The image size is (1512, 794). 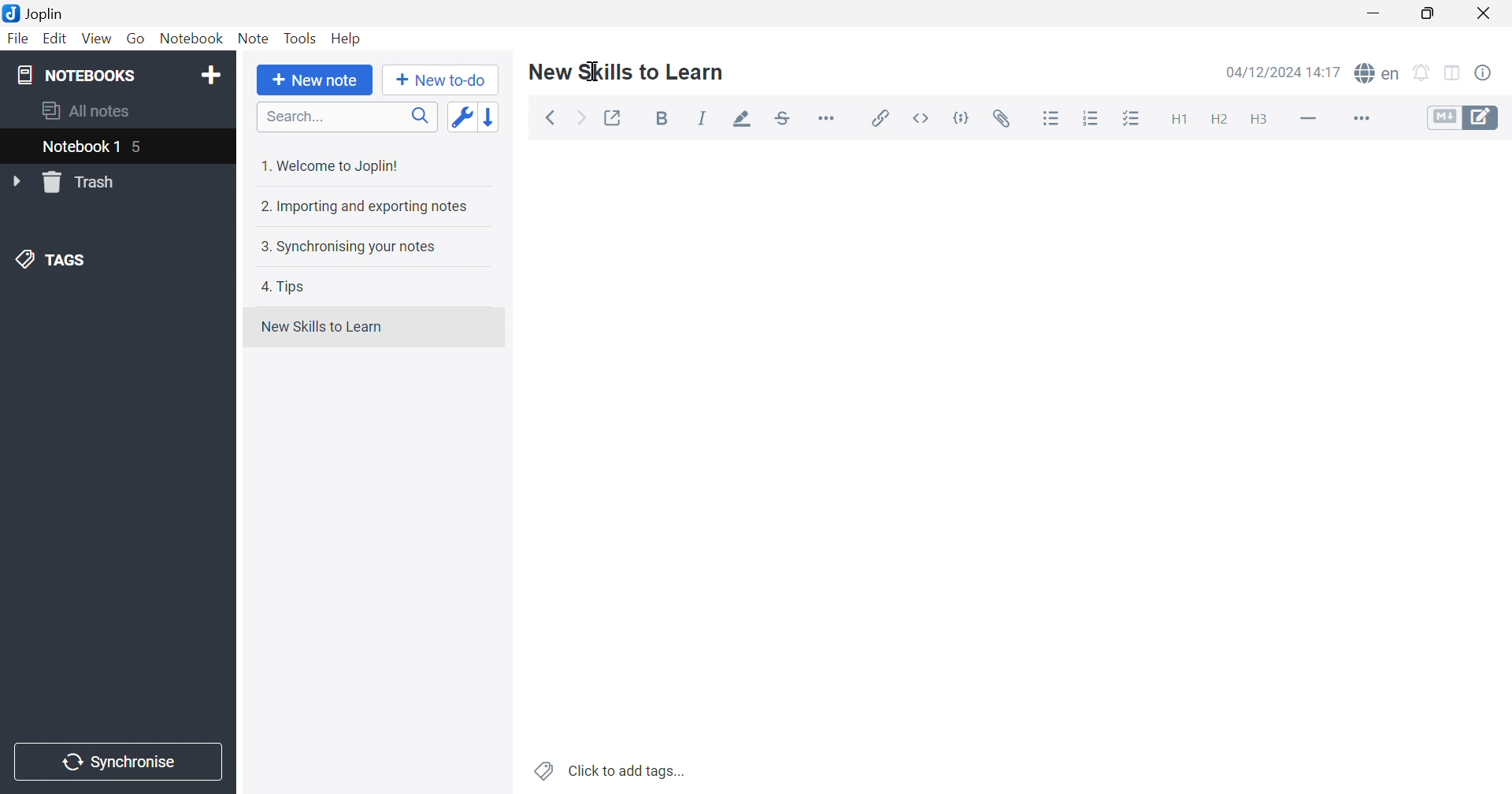 What do you see at coordinates (461, 116) in the screenshot?
I see `Toggle sort order field: custom order -> updated date` at bounding box center [461, 116].